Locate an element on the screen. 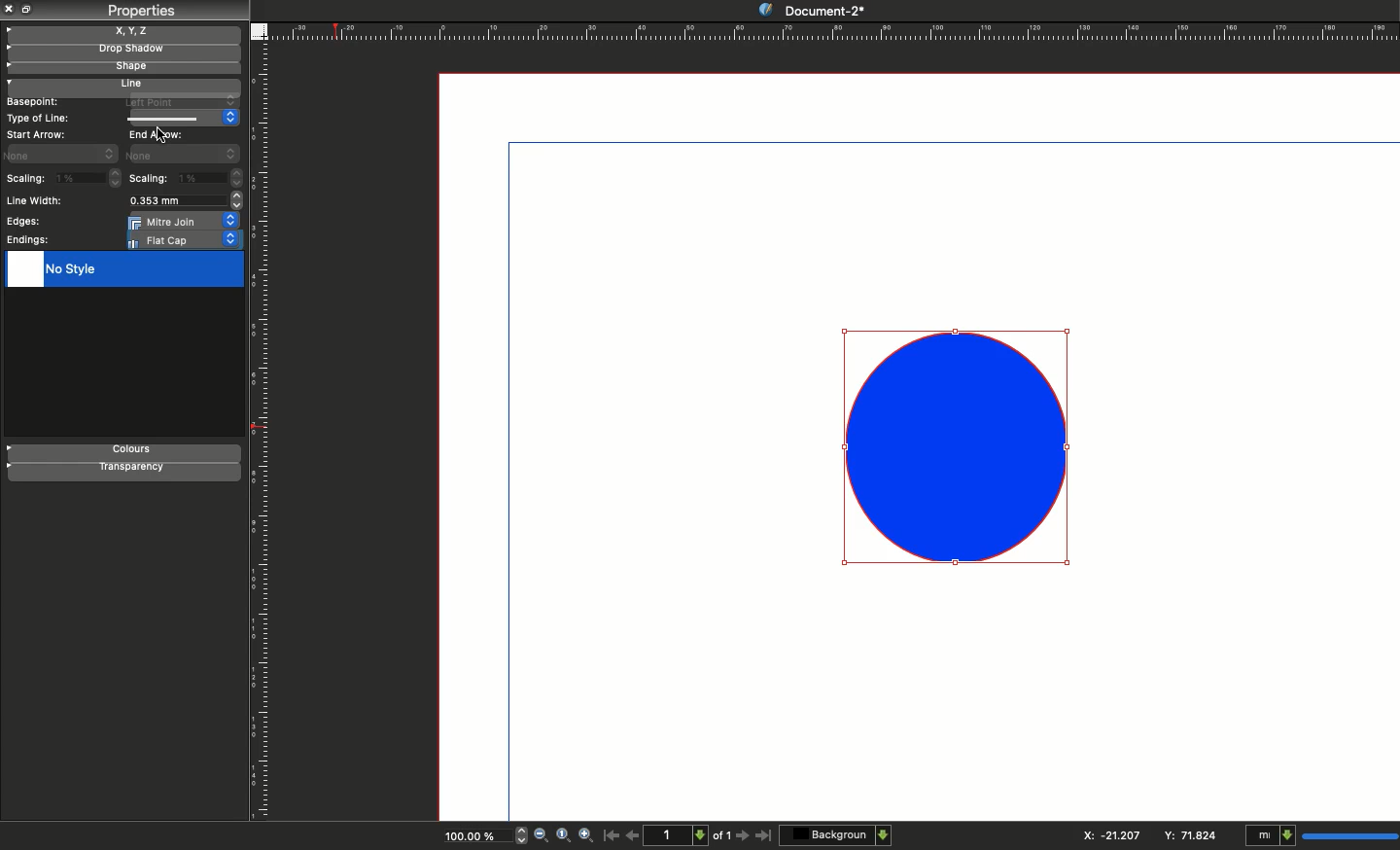  Scaling is located at coordinates (25, 180).